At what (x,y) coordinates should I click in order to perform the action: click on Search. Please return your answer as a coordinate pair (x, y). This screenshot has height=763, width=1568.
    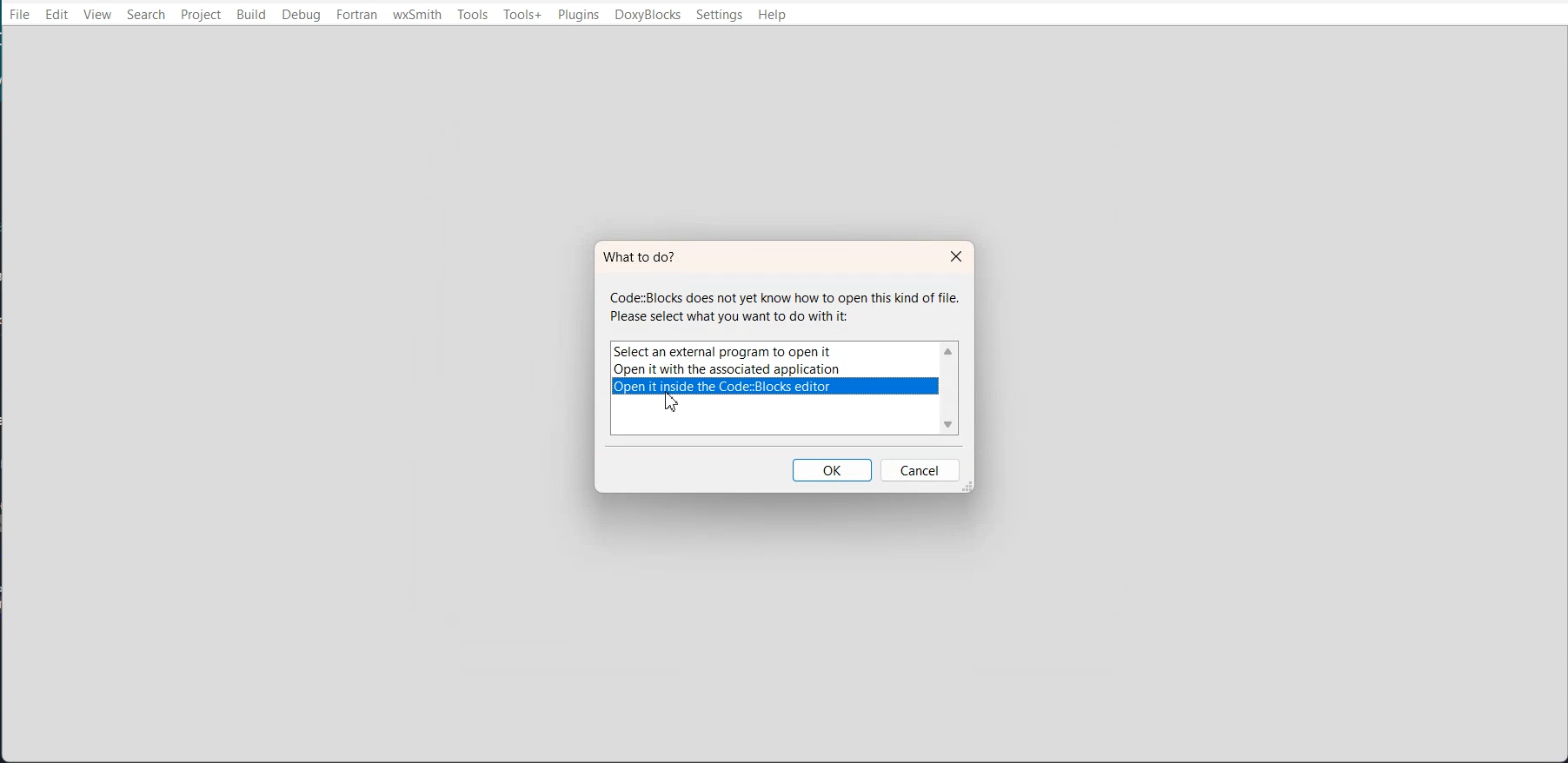
    Looking at the image, I should click on (145, 14).